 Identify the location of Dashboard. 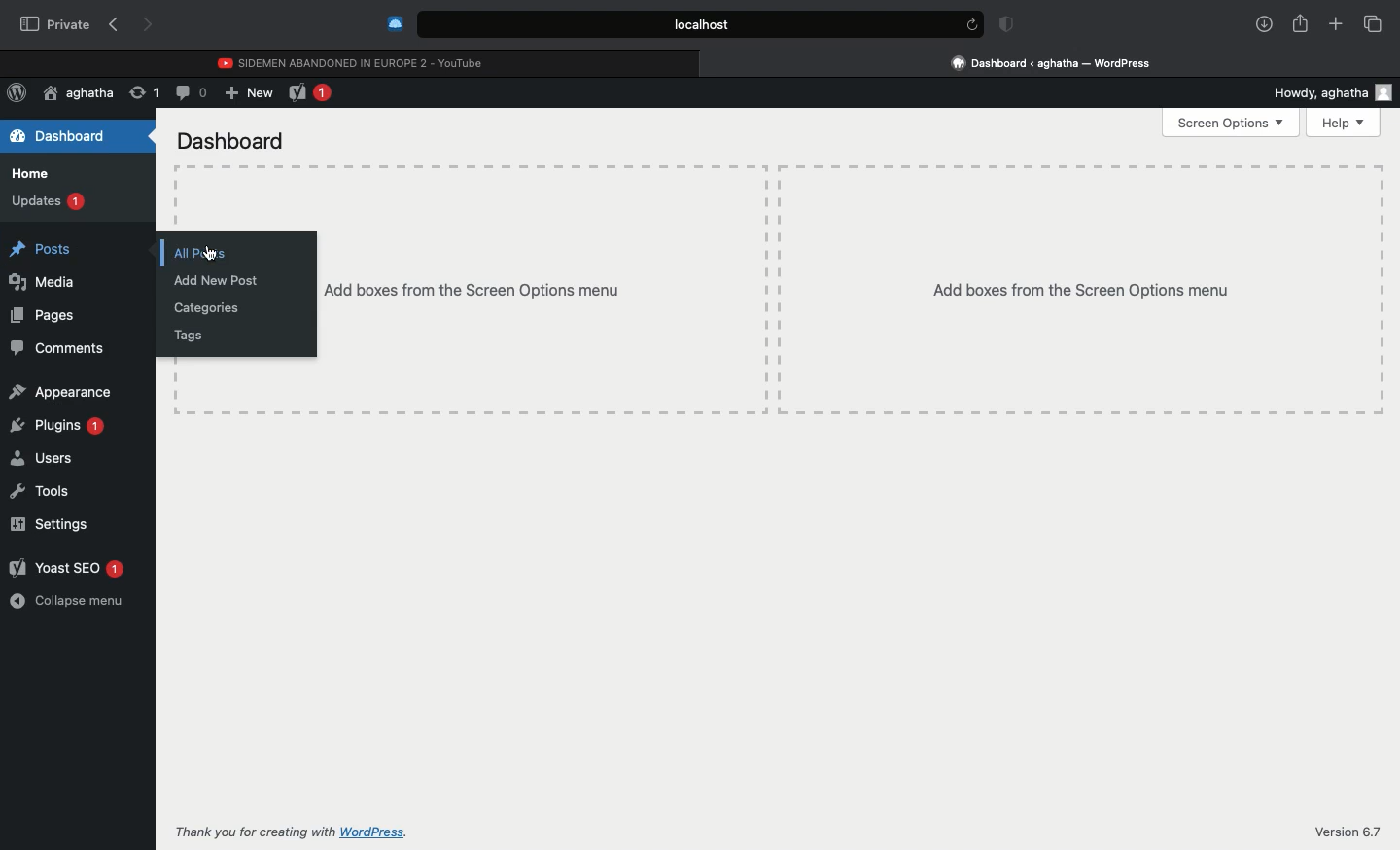
(232, 141).